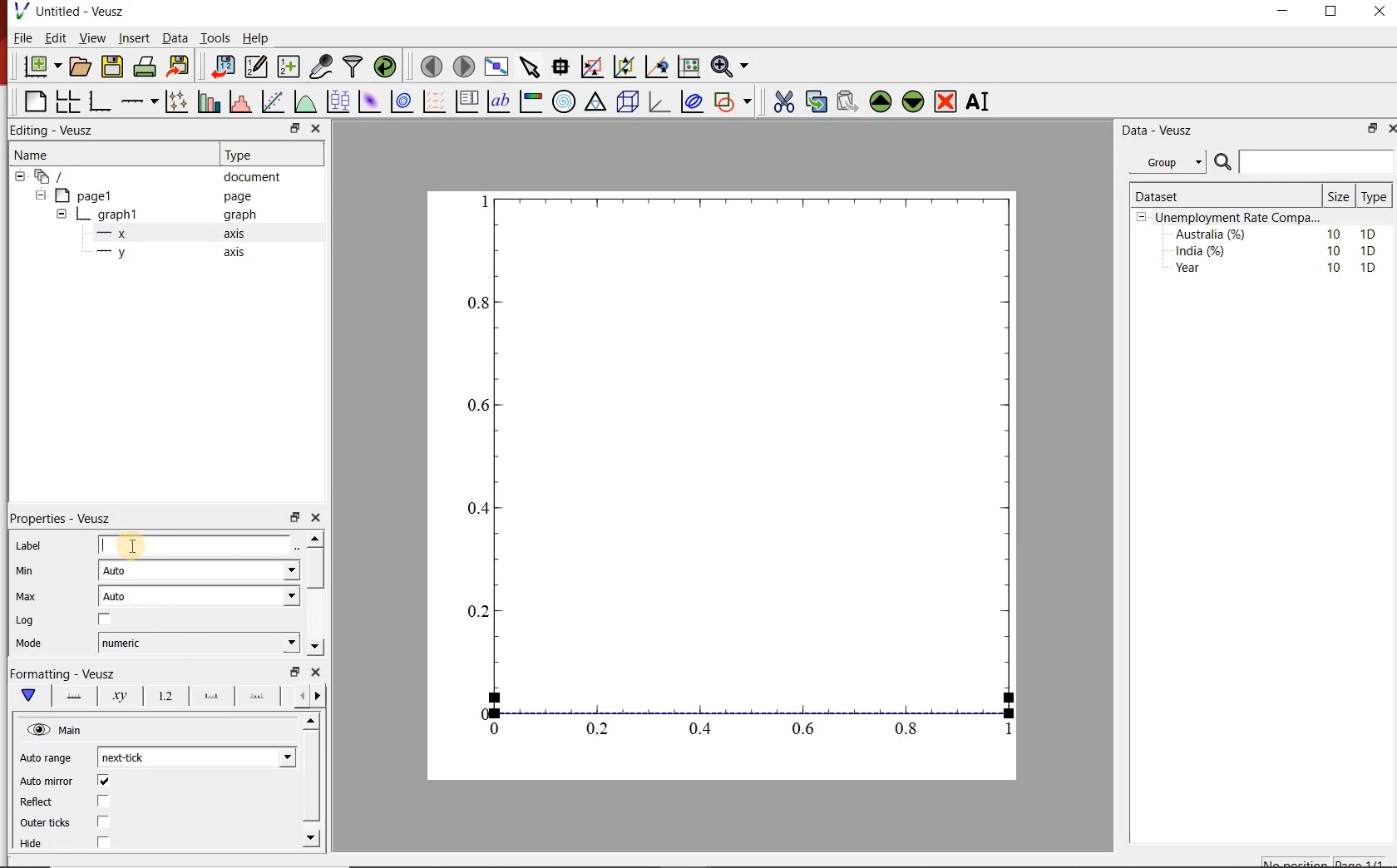  Describe the element at coordinates (723, 486) in the screenshot. I see `graph chart` at that location.